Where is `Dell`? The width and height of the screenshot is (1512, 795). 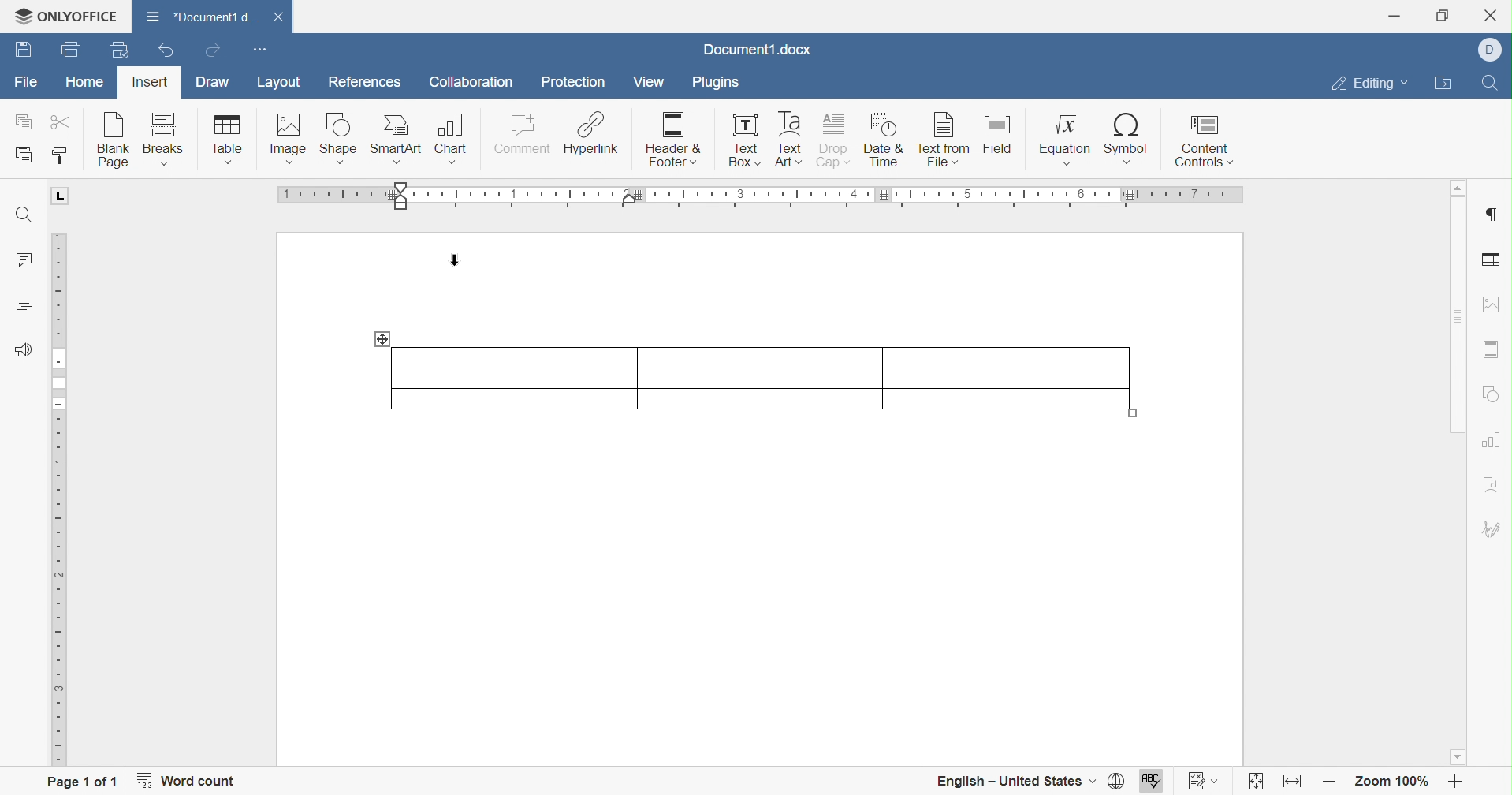 Dell is located at coordinates (1490, 51).